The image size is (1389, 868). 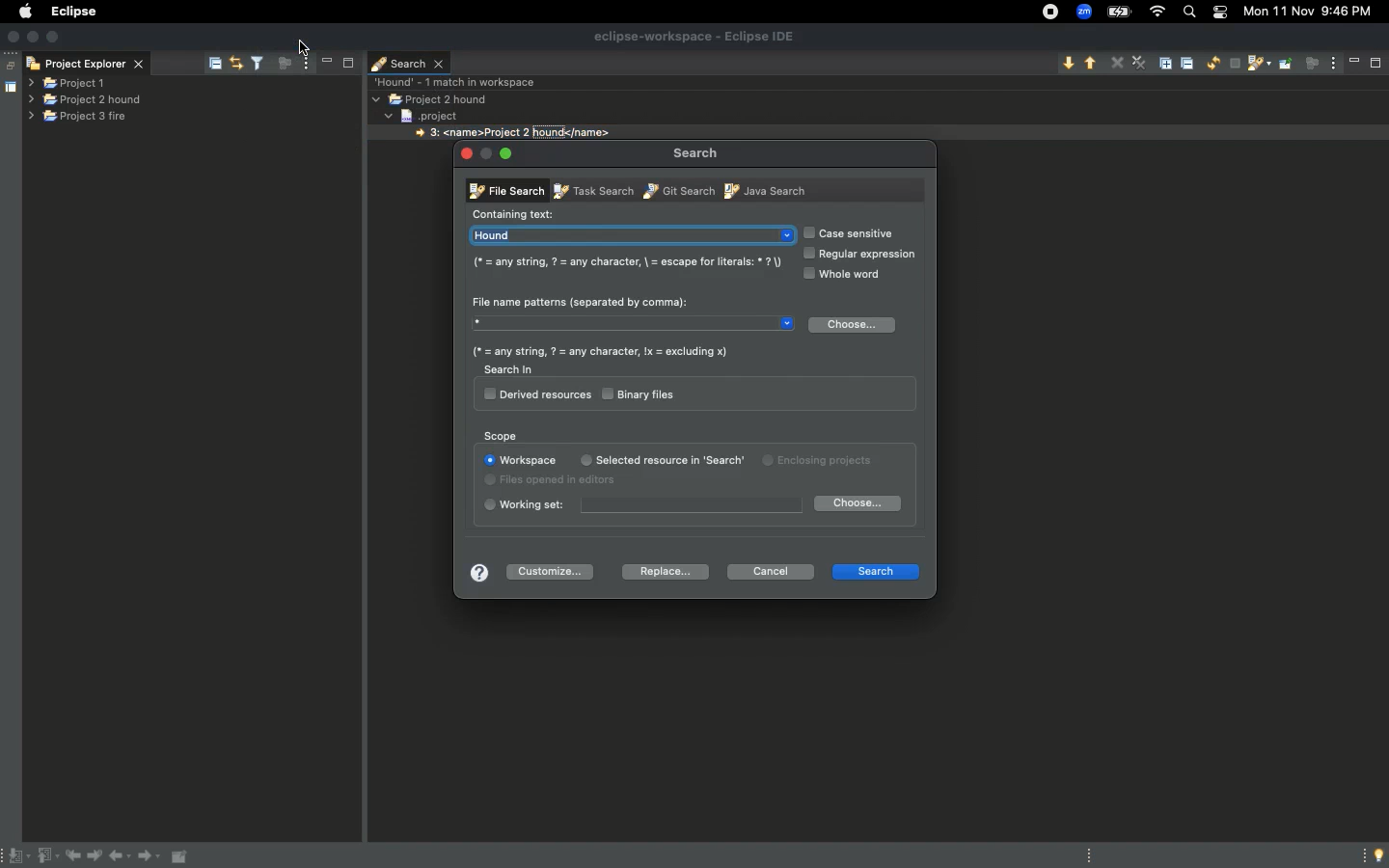 I want to click on Remove all matches, so click(x=1139, y=64).